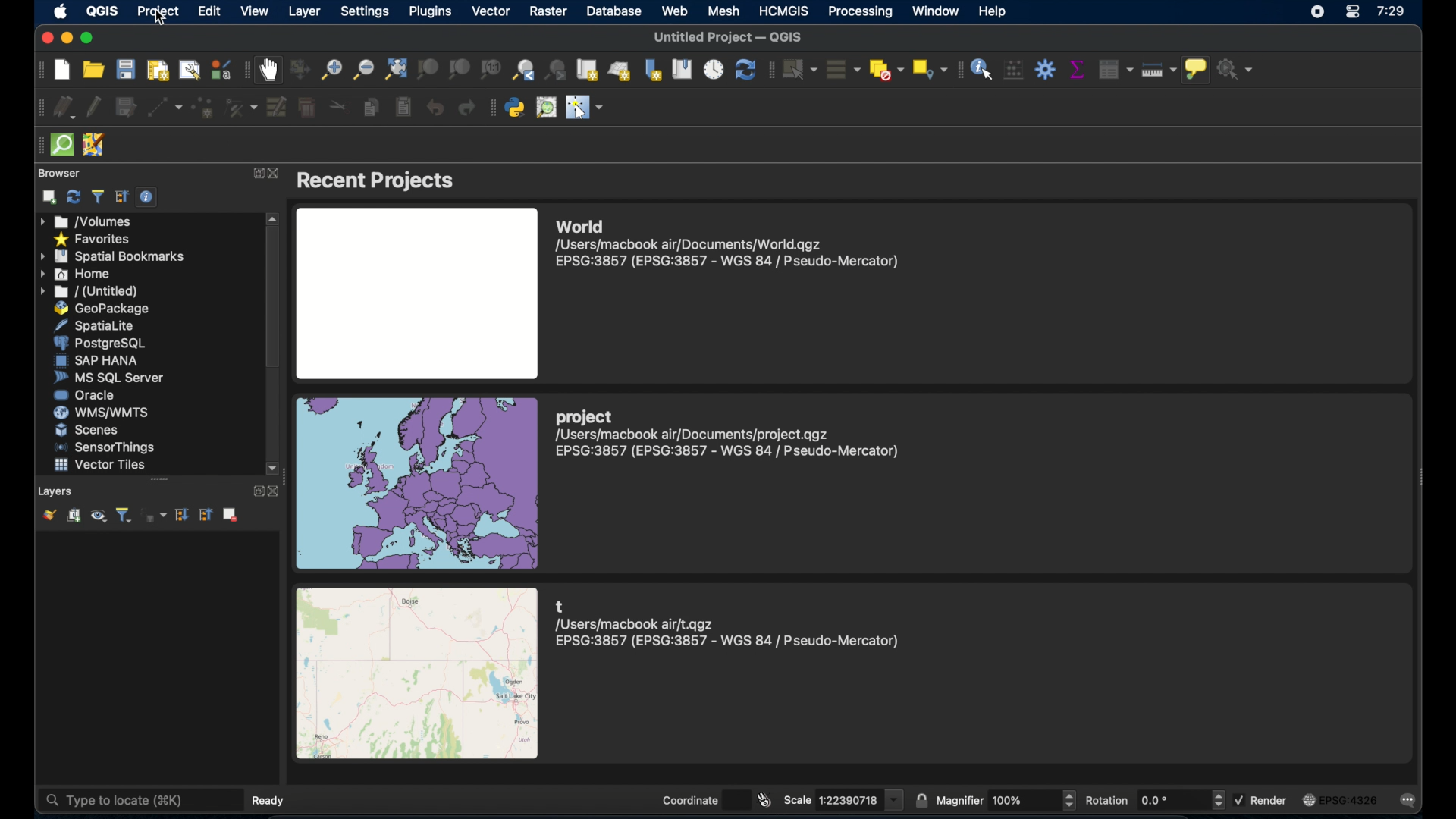  What do you see at coordinates (99, 466) in the screenshot?
I see `vector tiles` at bounding box center [99, 466].